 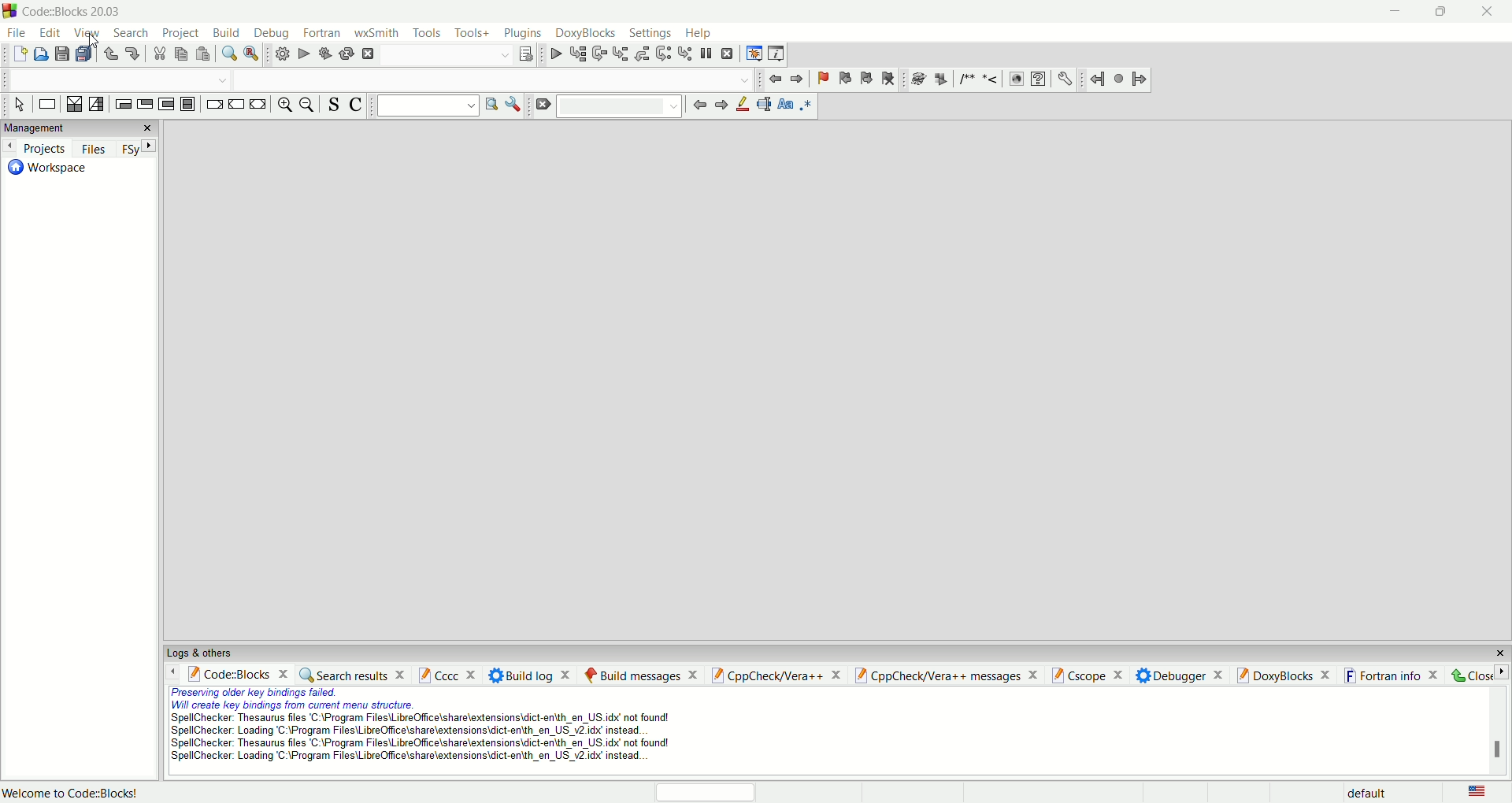 What do you see at coordinates (75, 790) in the screenshot?
I see `Welcome to Code::Blocks!` at bounding box center [75, 790].